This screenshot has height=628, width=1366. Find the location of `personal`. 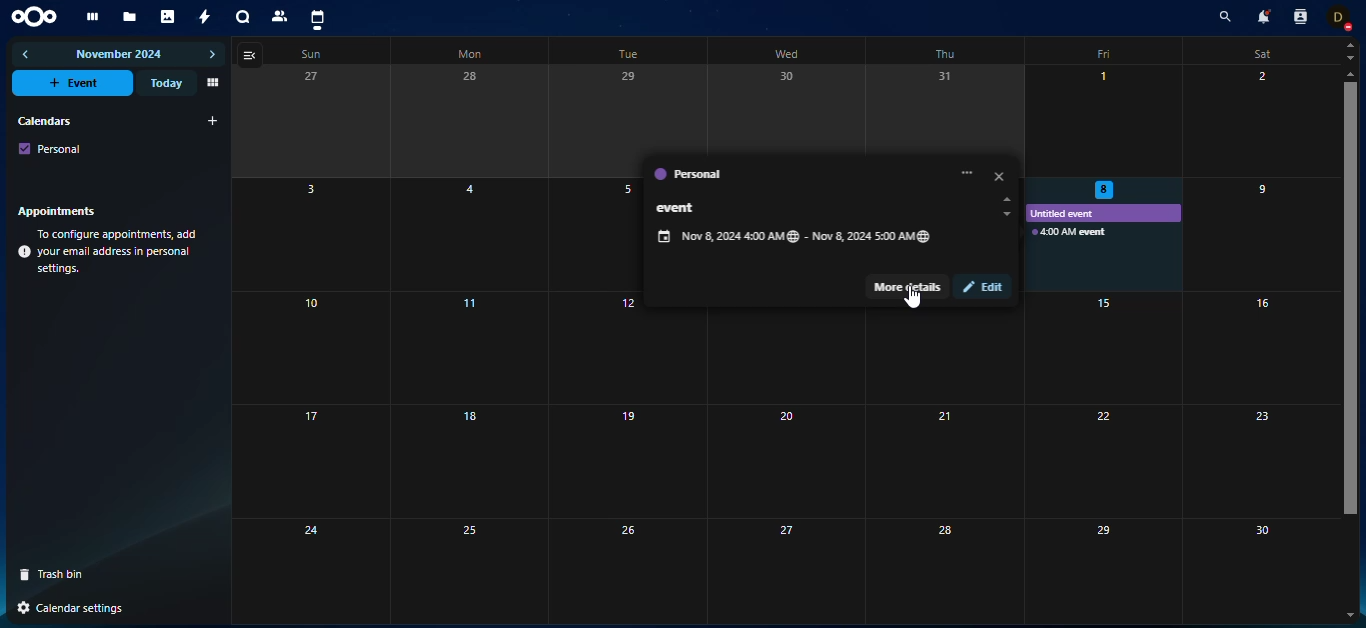

personal is located at coordinates (690, 173).